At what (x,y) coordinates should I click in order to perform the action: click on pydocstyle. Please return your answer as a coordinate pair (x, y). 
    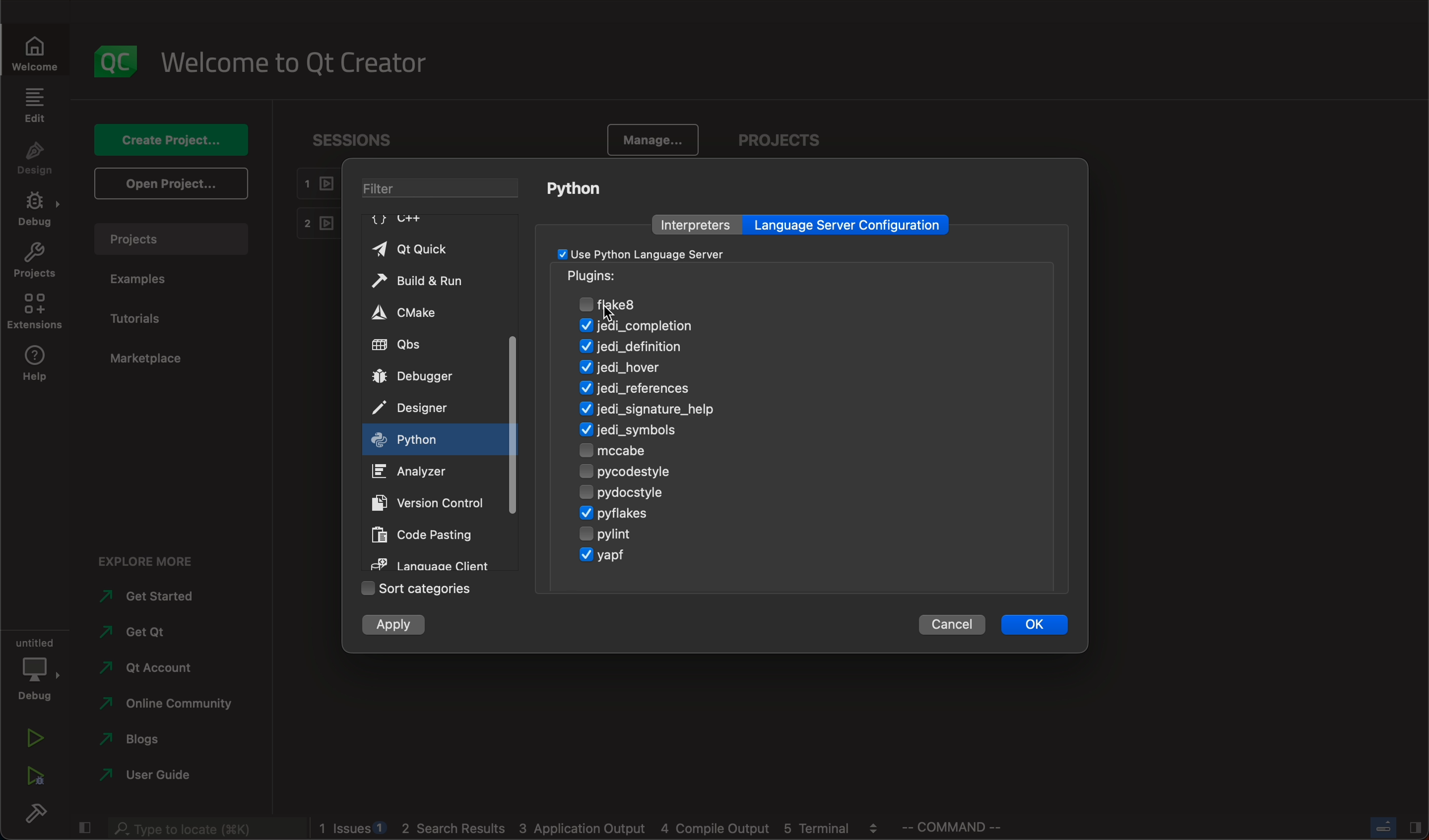
    Looking at the image, I should click on (625, 493).